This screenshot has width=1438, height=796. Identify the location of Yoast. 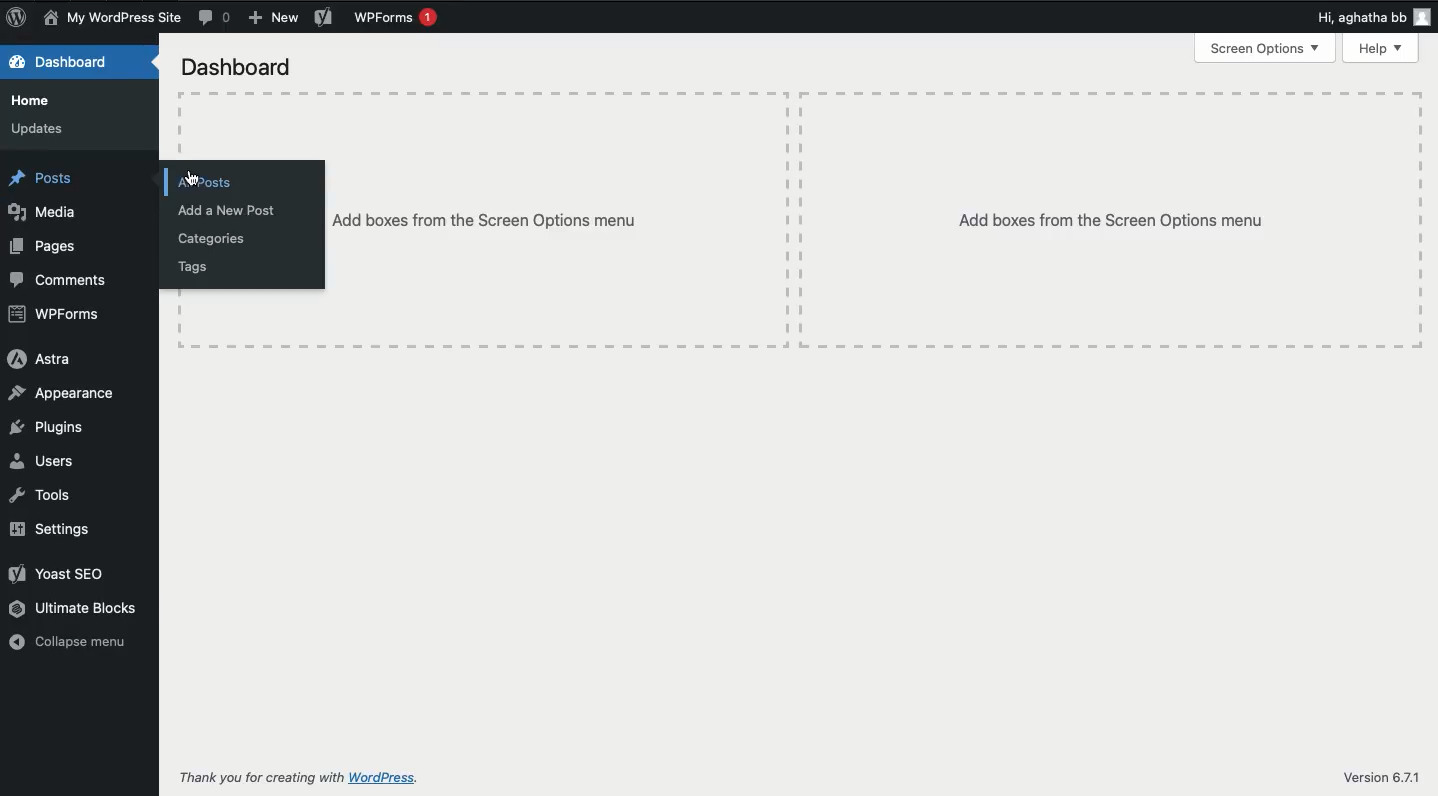
(323, 16).